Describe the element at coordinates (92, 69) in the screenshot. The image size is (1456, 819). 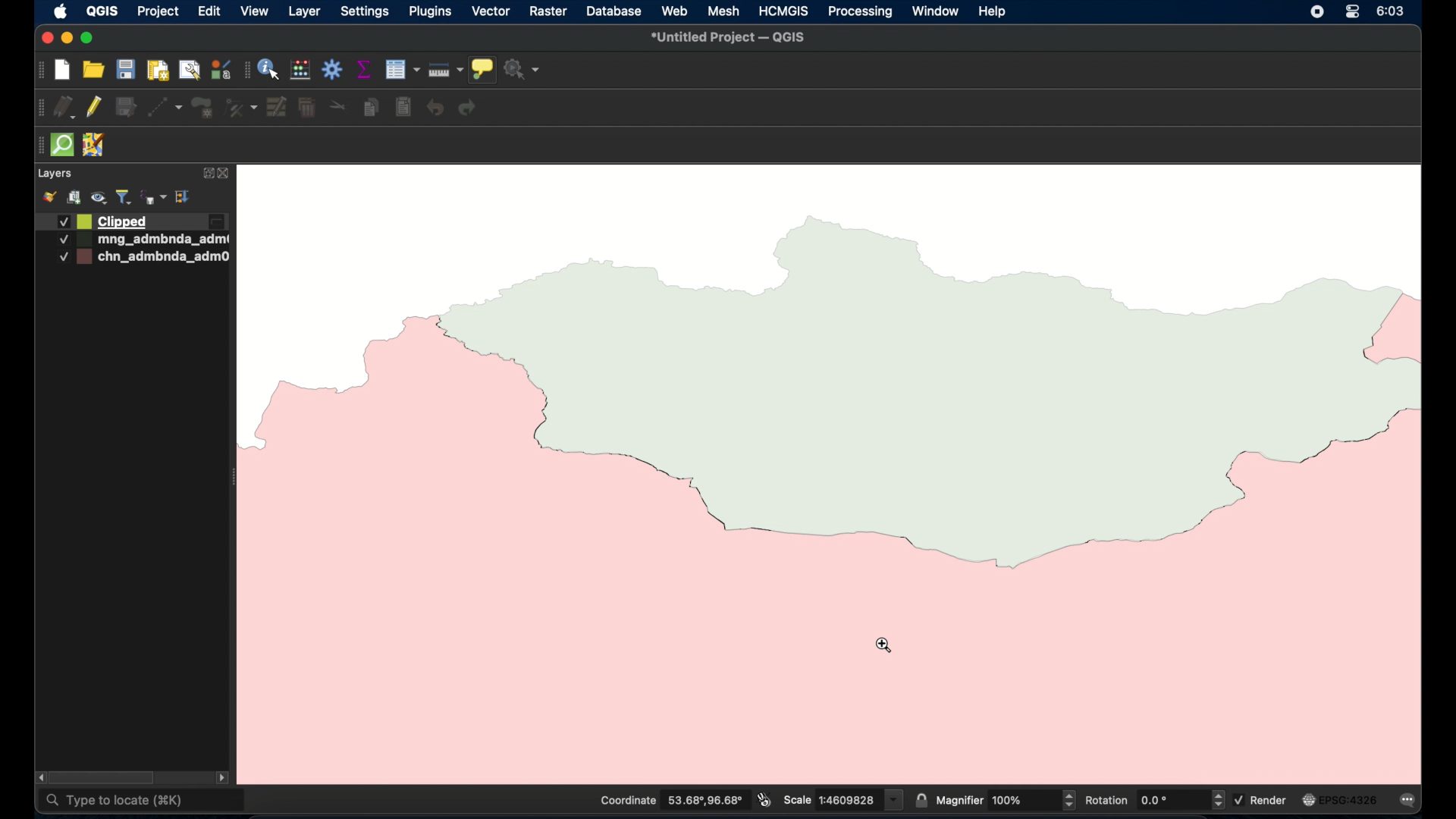
I see `open project` at that location.